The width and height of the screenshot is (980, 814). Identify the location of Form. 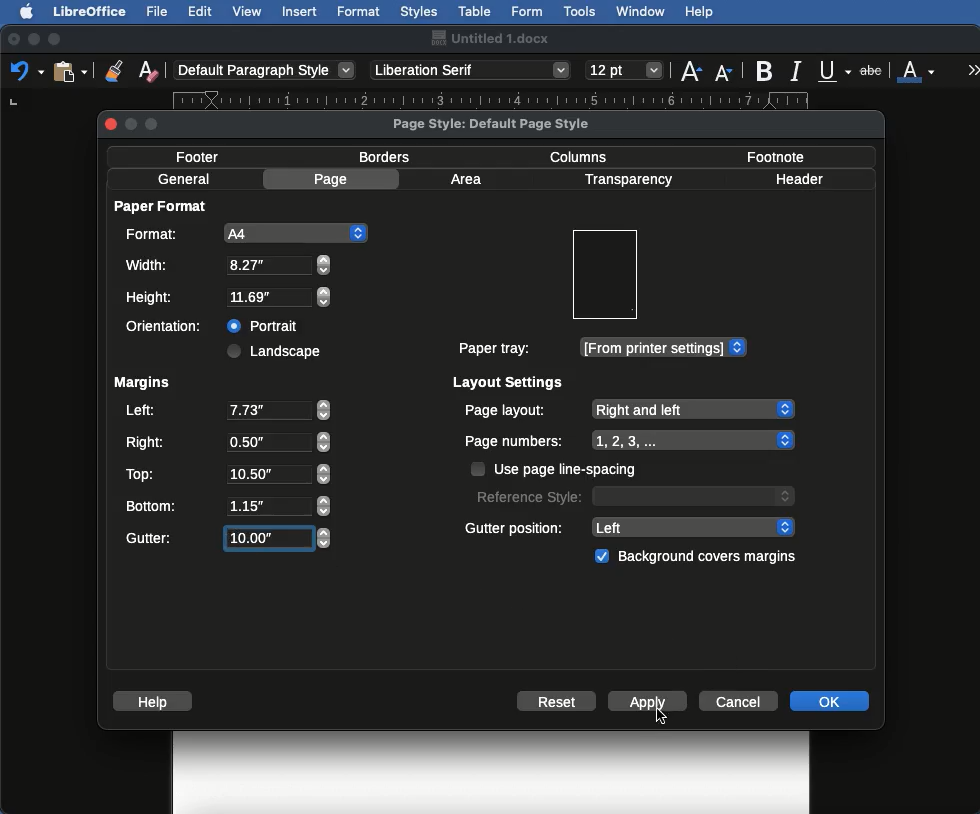
(527, 12).